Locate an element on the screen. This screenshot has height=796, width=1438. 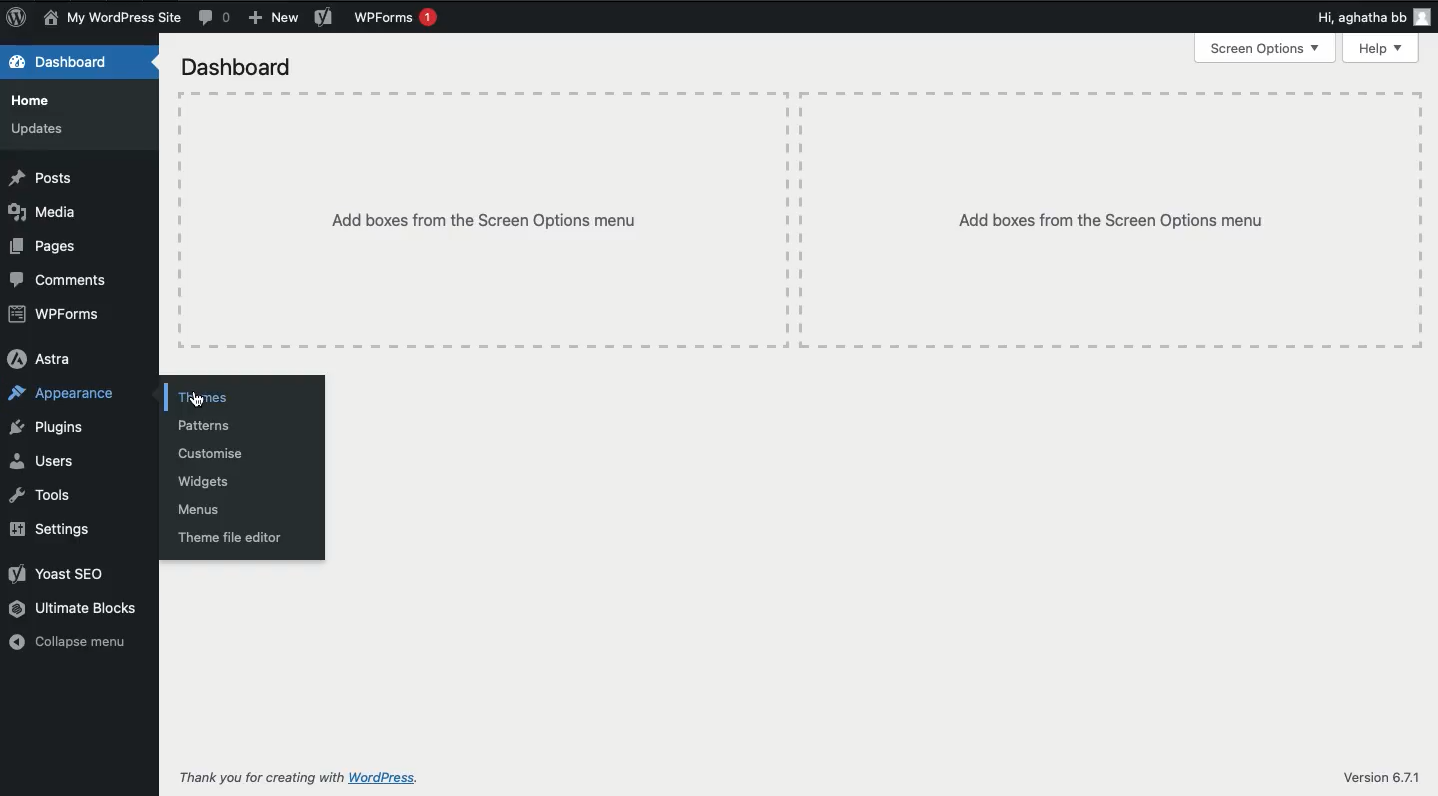
Plugins is located at coordinates (46, 429).